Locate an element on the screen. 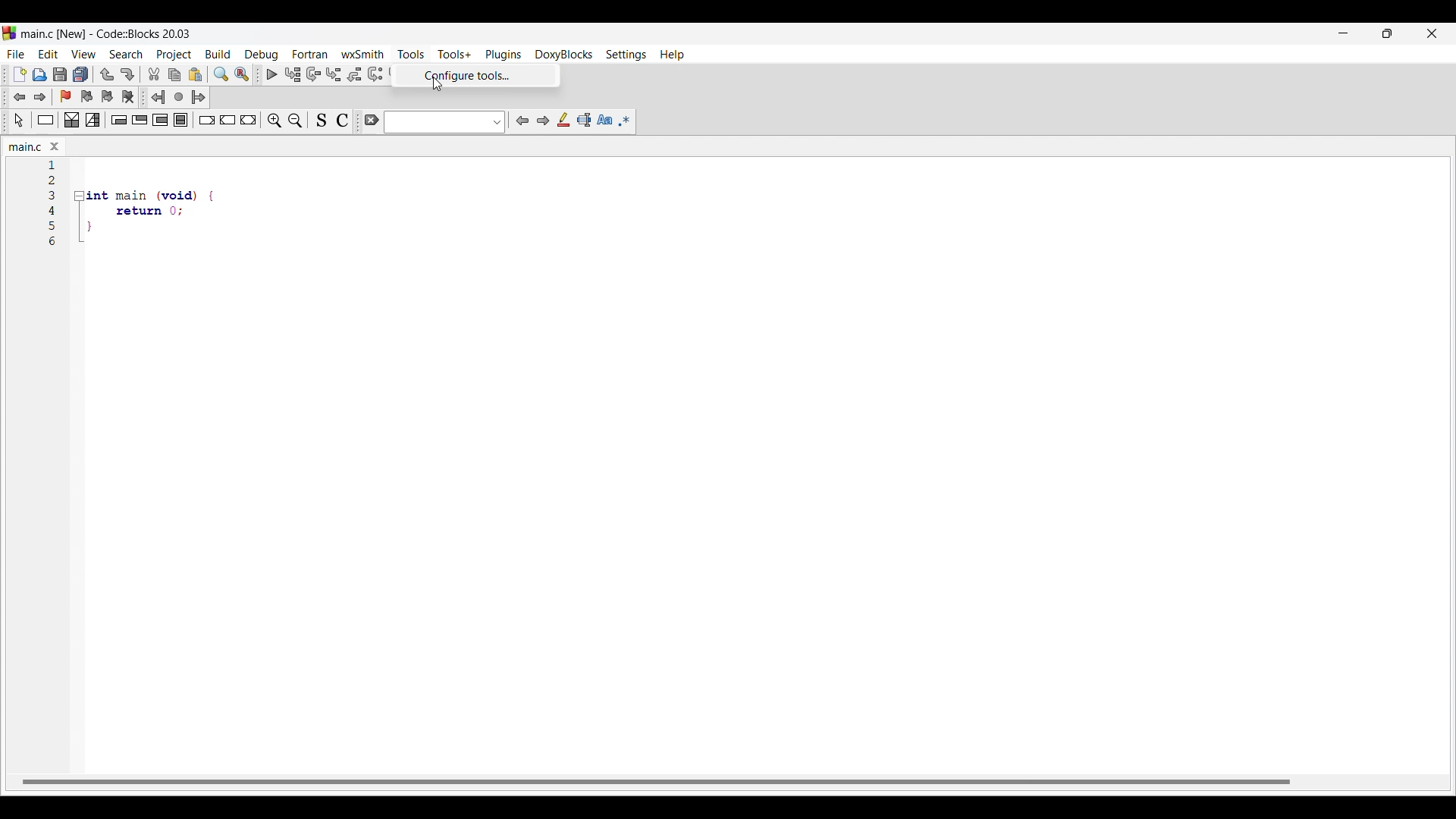 The height and width of the screenshot is (819, 1456). Settings menu is located at coordinates (626, 55).